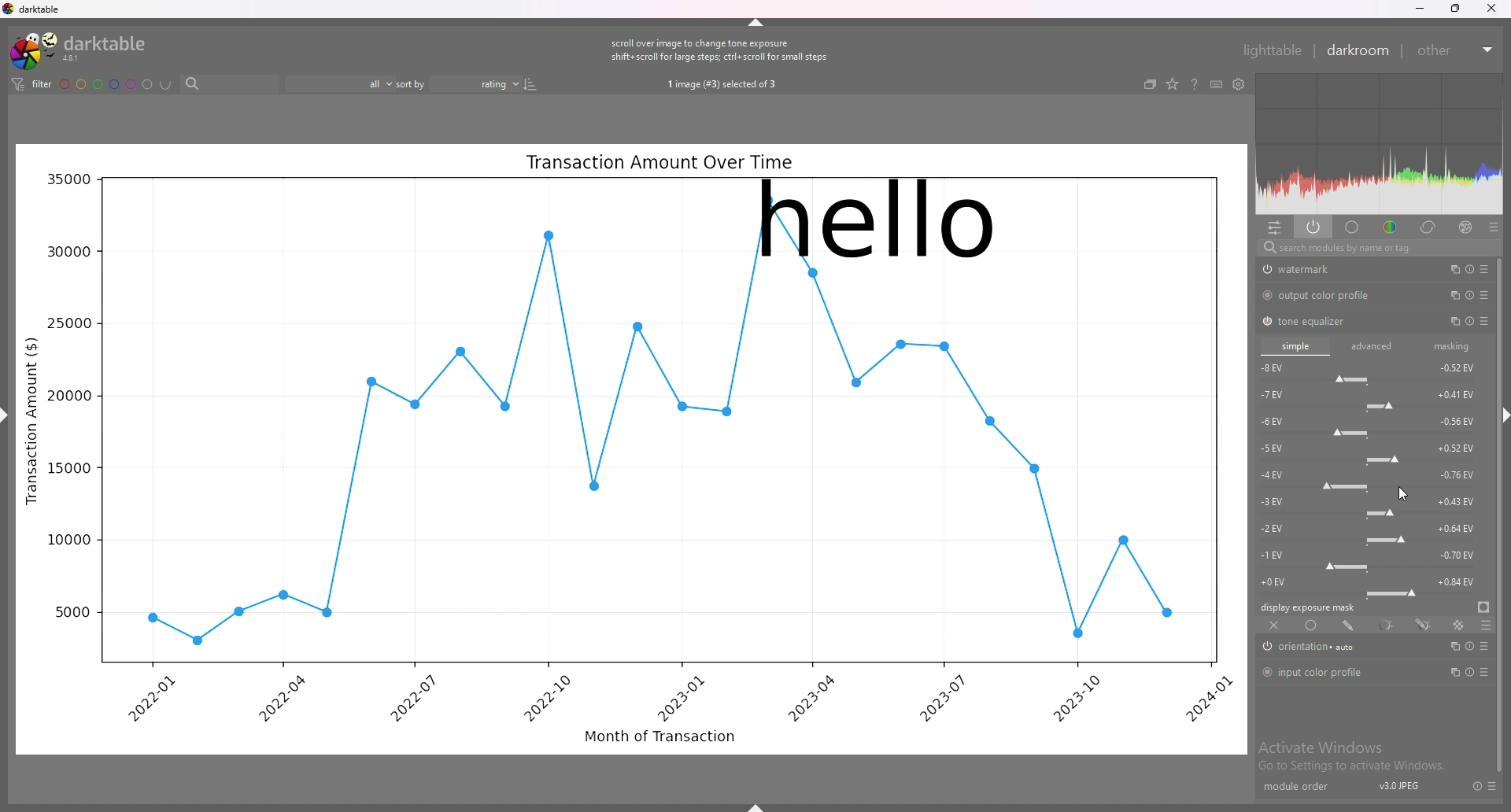 The height and width of the screenshot is (812, 1511). Describe the element at coordinates (1320, 648) in the screenshot. I see `orientation` at that location.